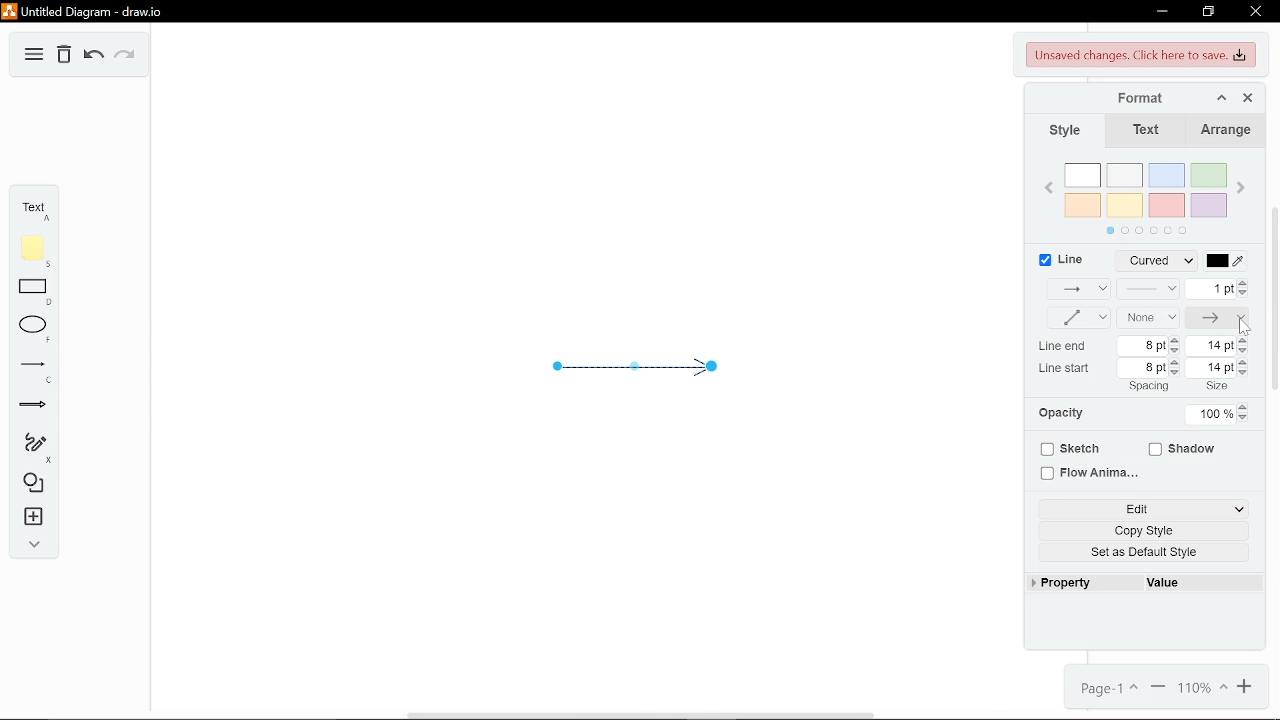 Image resolution: width=1280 pixels, height=720 pixels. Describe the element at coordinates (1146, 131) in the screenshot. I see `Text` at that location.